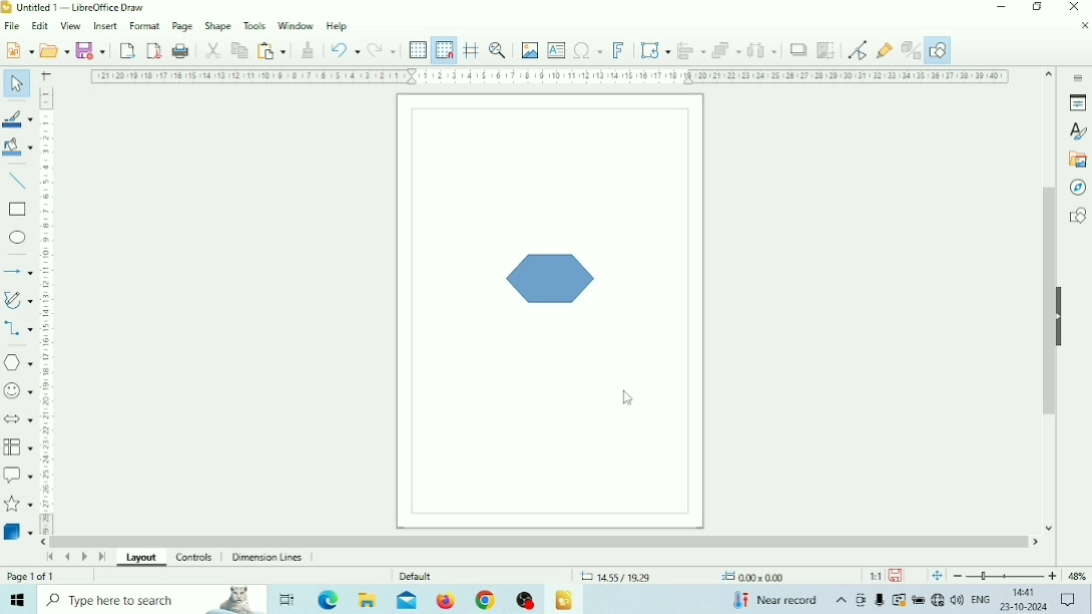 This screenshot has width=1092, height=614. What do you see at coordinates (49, 556) in the screenshot?
I see `Scroll to first page` at bounding box center [49, 556].